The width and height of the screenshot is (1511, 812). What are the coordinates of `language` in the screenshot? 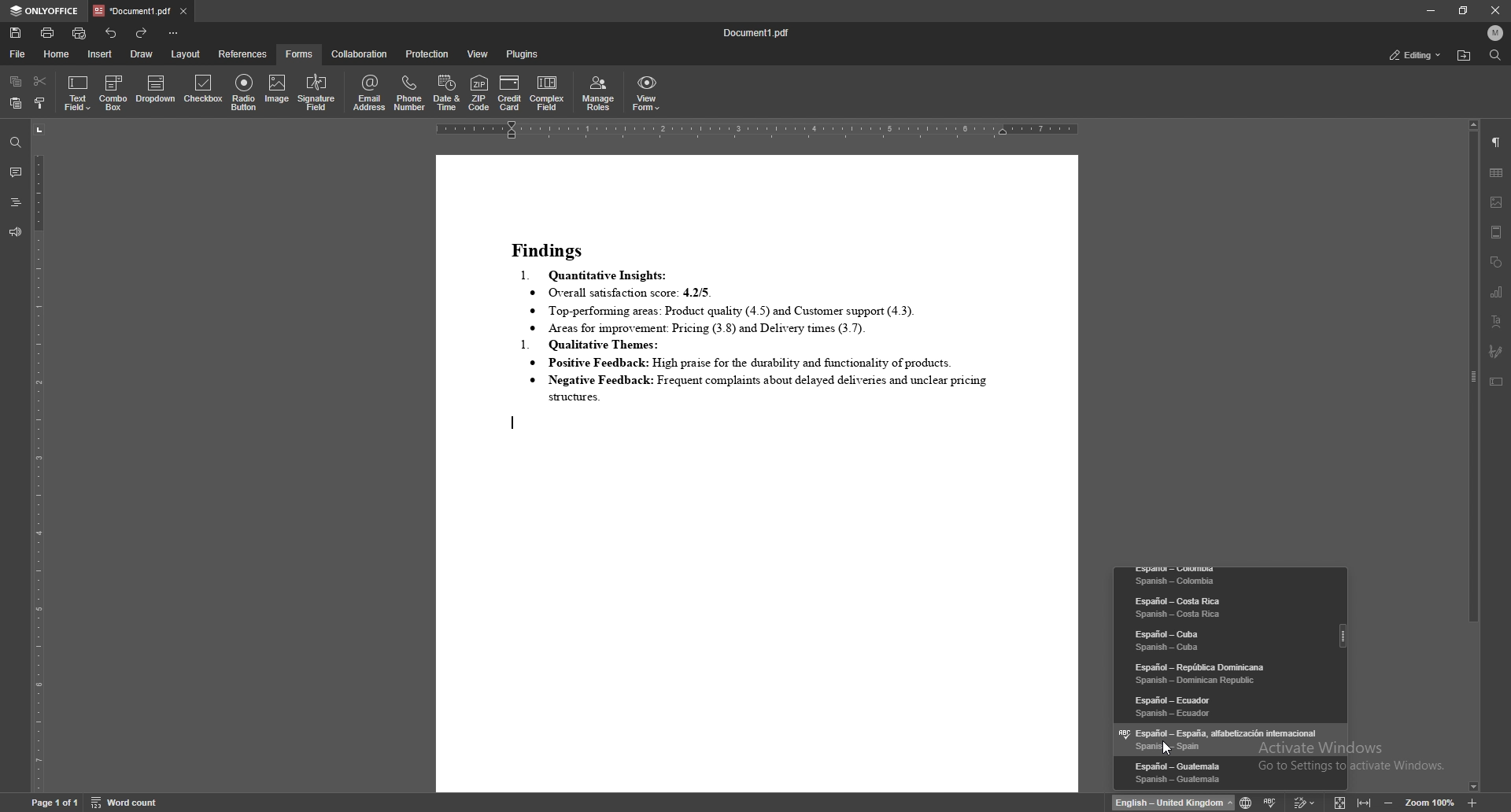 It's located at (1223, 773).